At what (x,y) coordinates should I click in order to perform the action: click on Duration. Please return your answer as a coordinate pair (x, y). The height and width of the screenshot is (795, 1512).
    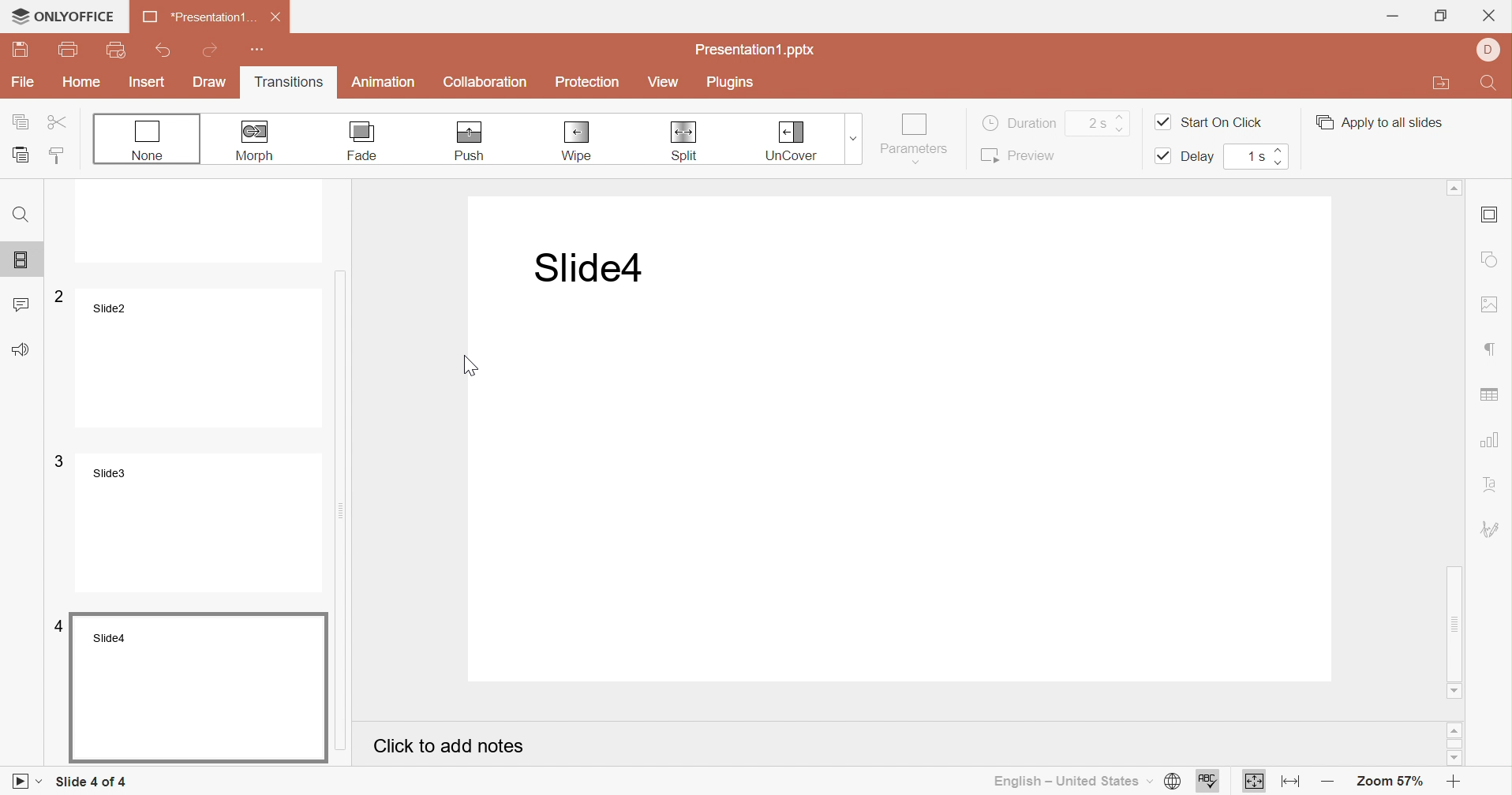
    Looking at the image, I should click on (1019, 121).